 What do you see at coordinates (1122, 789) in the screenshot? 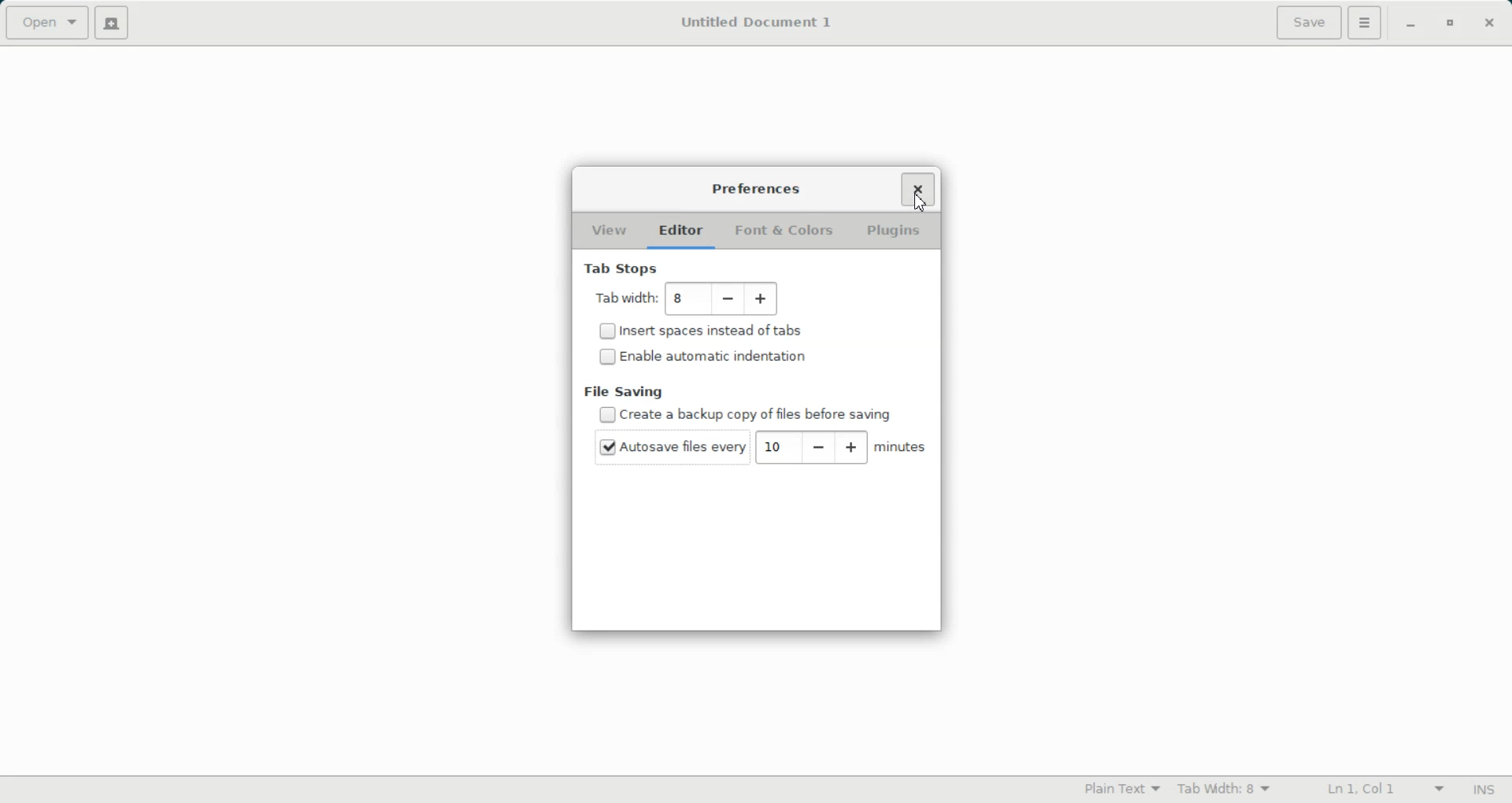
I see `Plain Text` at bounding box center [1122, 789].